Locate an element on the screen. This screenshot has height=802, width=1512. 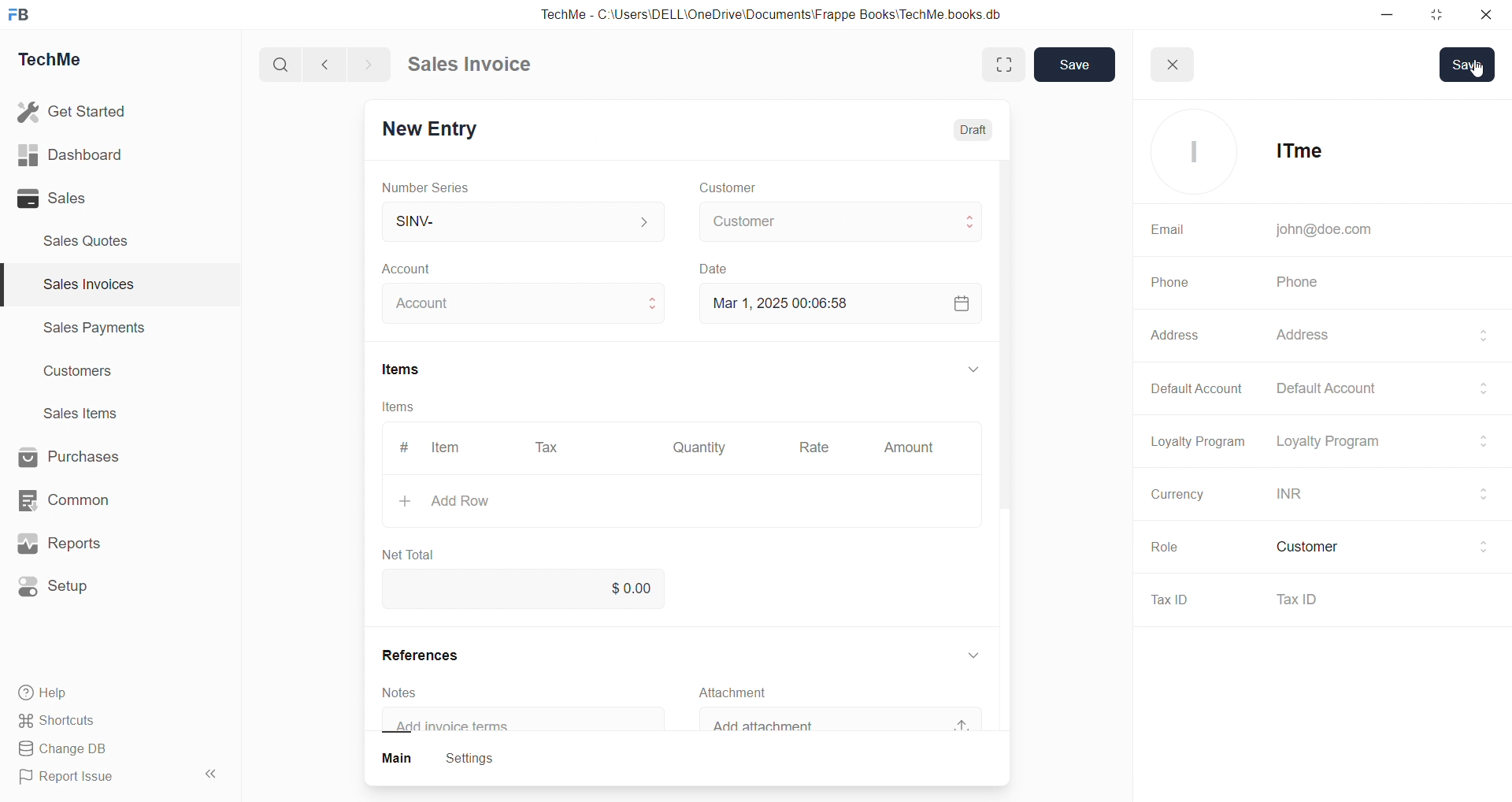
$0.00 is located at coordinates (634, 587).